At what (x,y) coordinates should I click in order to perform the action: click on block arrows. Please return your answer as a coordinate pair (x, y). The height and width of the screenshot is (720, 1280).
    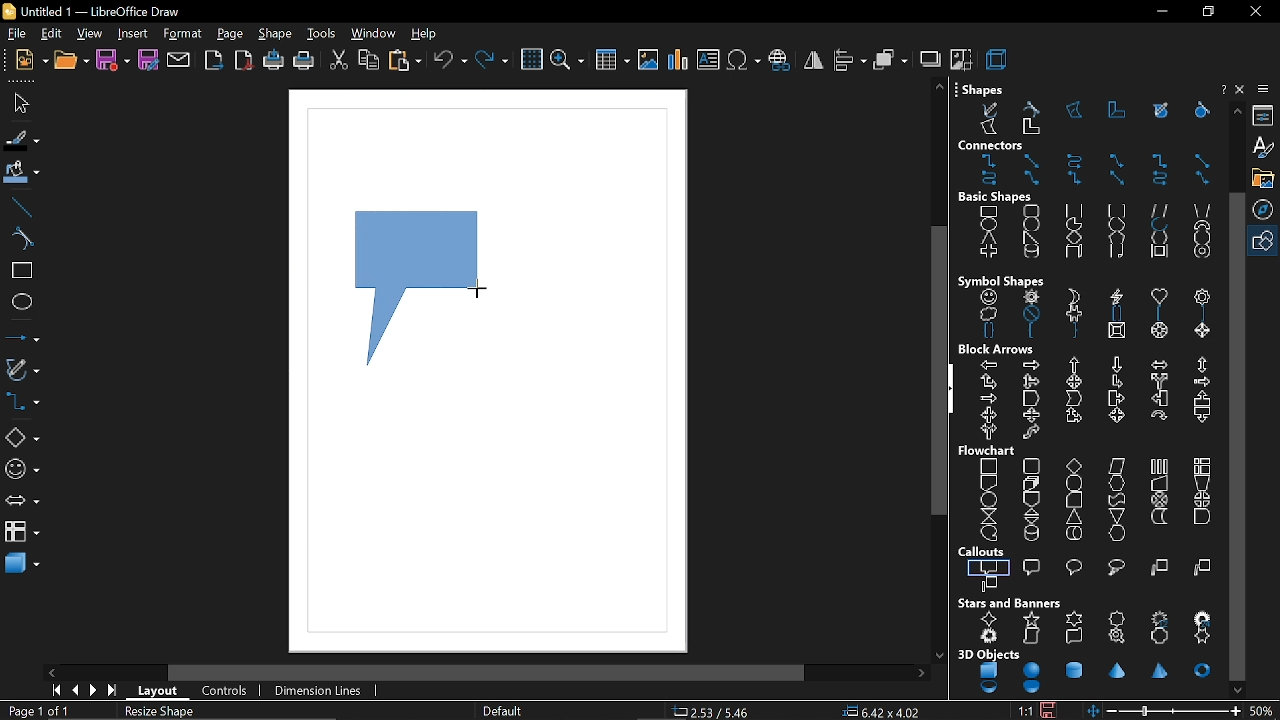
    Looking at the image, I should click on (998, 350).